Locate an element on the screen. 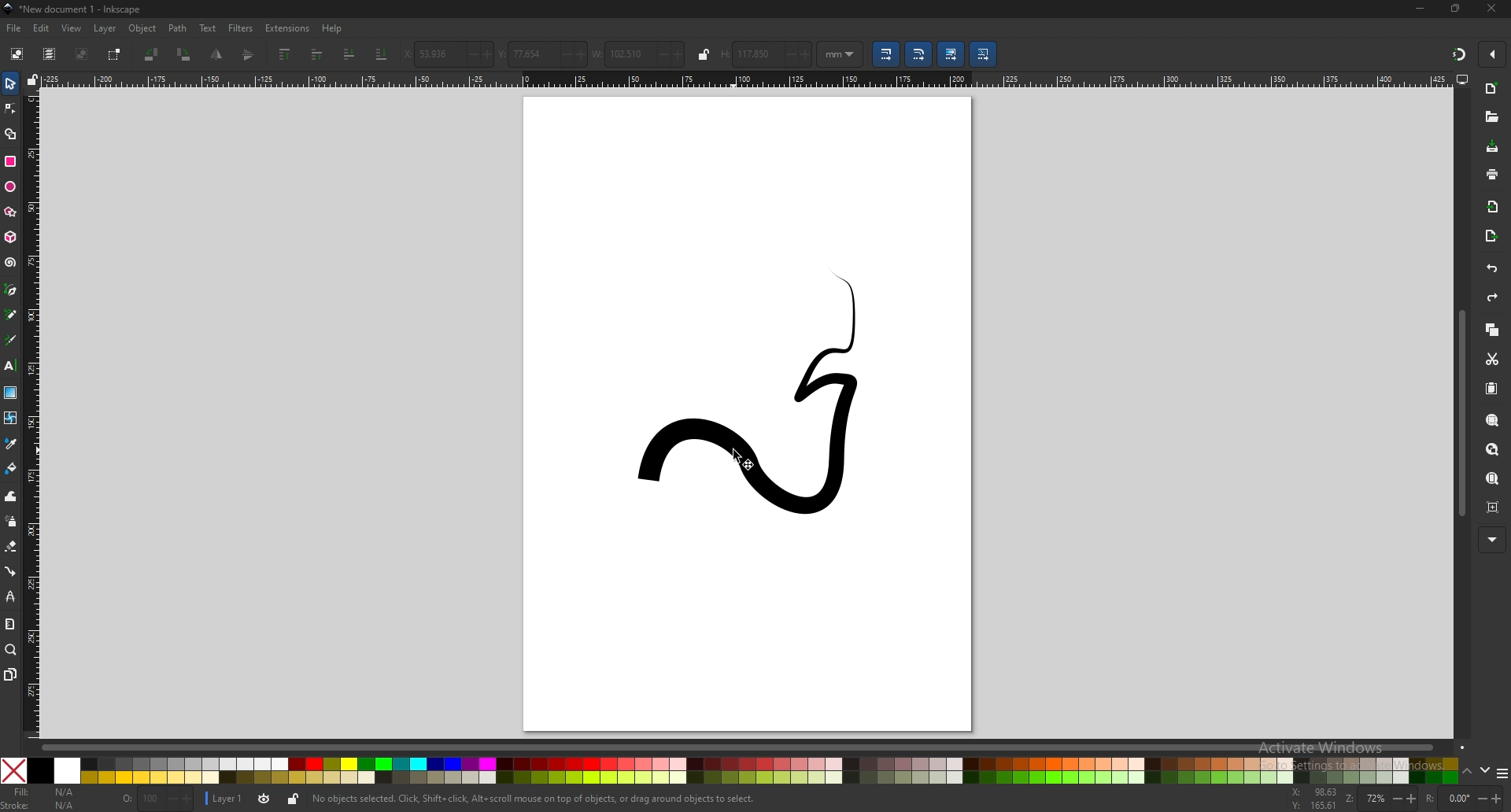 The height and width of the screenshot is (812, 1511). zoom is located at coordinates (10, 650).